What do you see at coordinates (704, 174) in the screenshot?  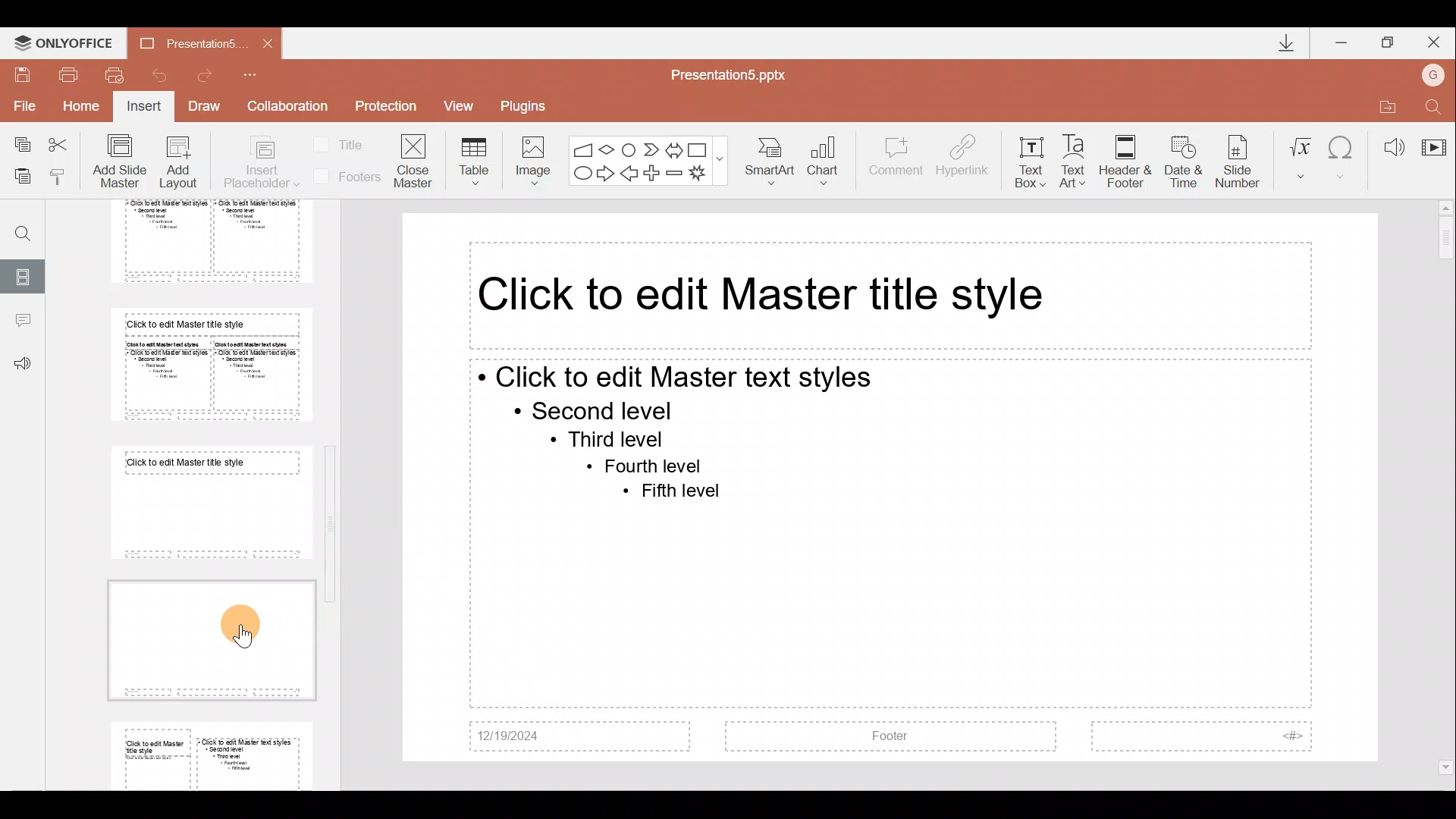 I see `Explosion 1` at bounding box center [704, 174].